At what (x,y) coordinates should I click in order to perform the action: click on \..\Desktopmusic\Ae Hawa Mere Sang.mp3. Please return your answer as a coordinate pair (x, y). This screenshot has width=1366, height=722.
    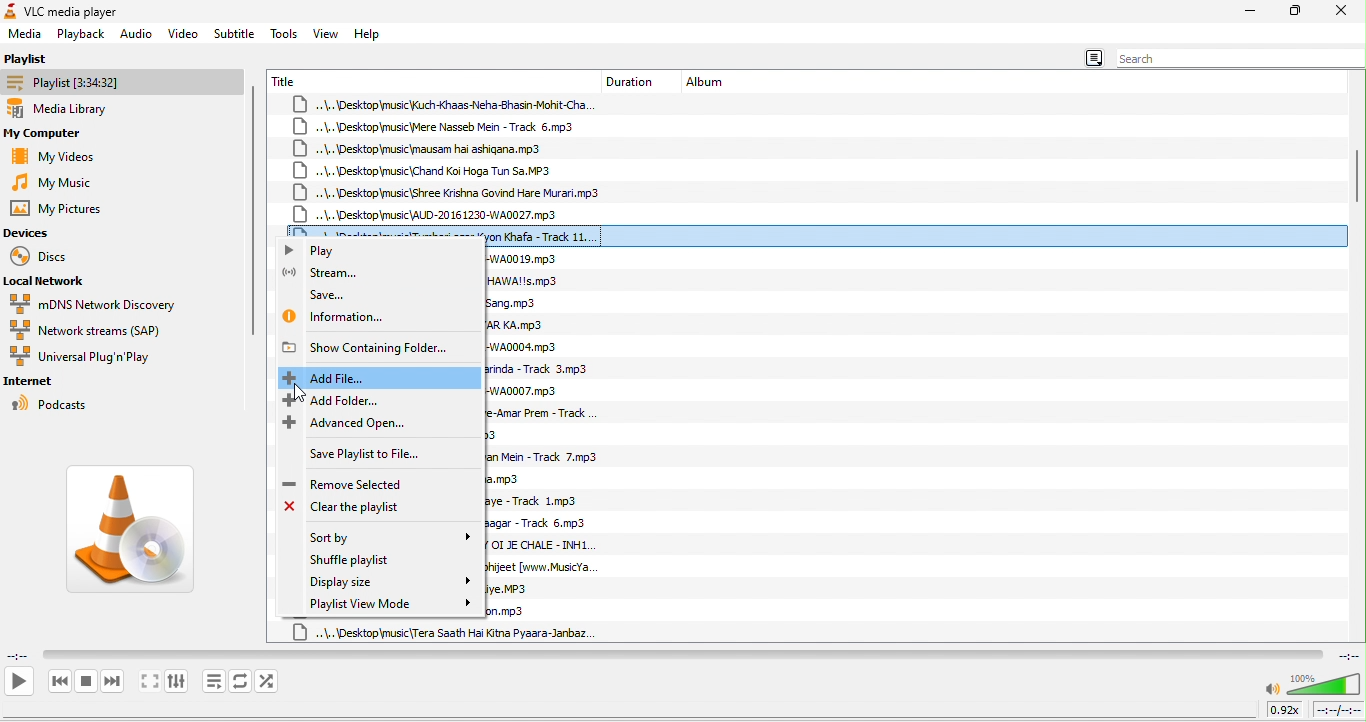
    Looking at the image, I should click on (516, 304).